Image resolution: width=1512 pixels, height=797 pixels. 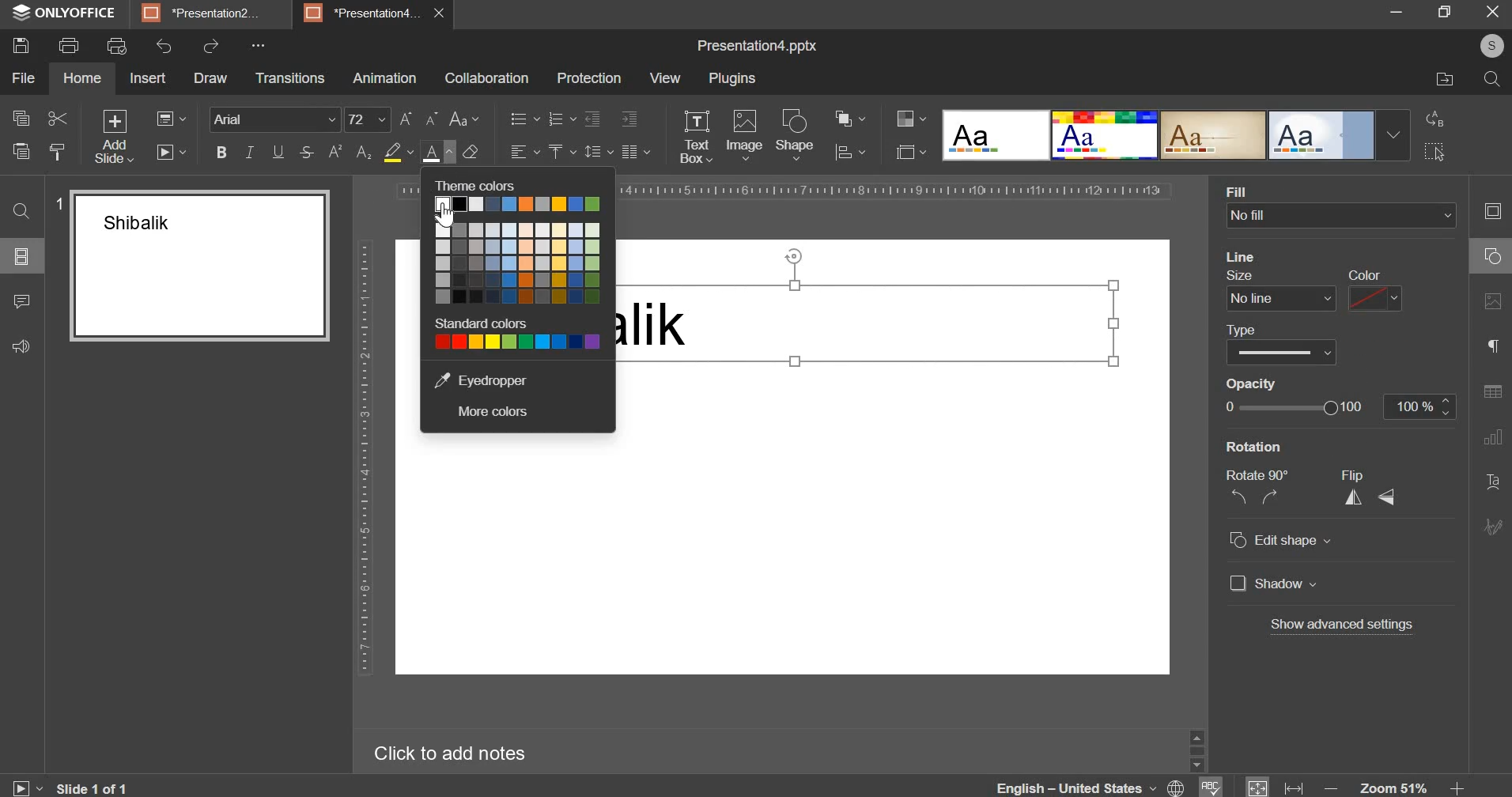 What do you see at coordinates (1261, 474) in the screenshot?
I see `rotate 90` at bounding box center [1261, 474].